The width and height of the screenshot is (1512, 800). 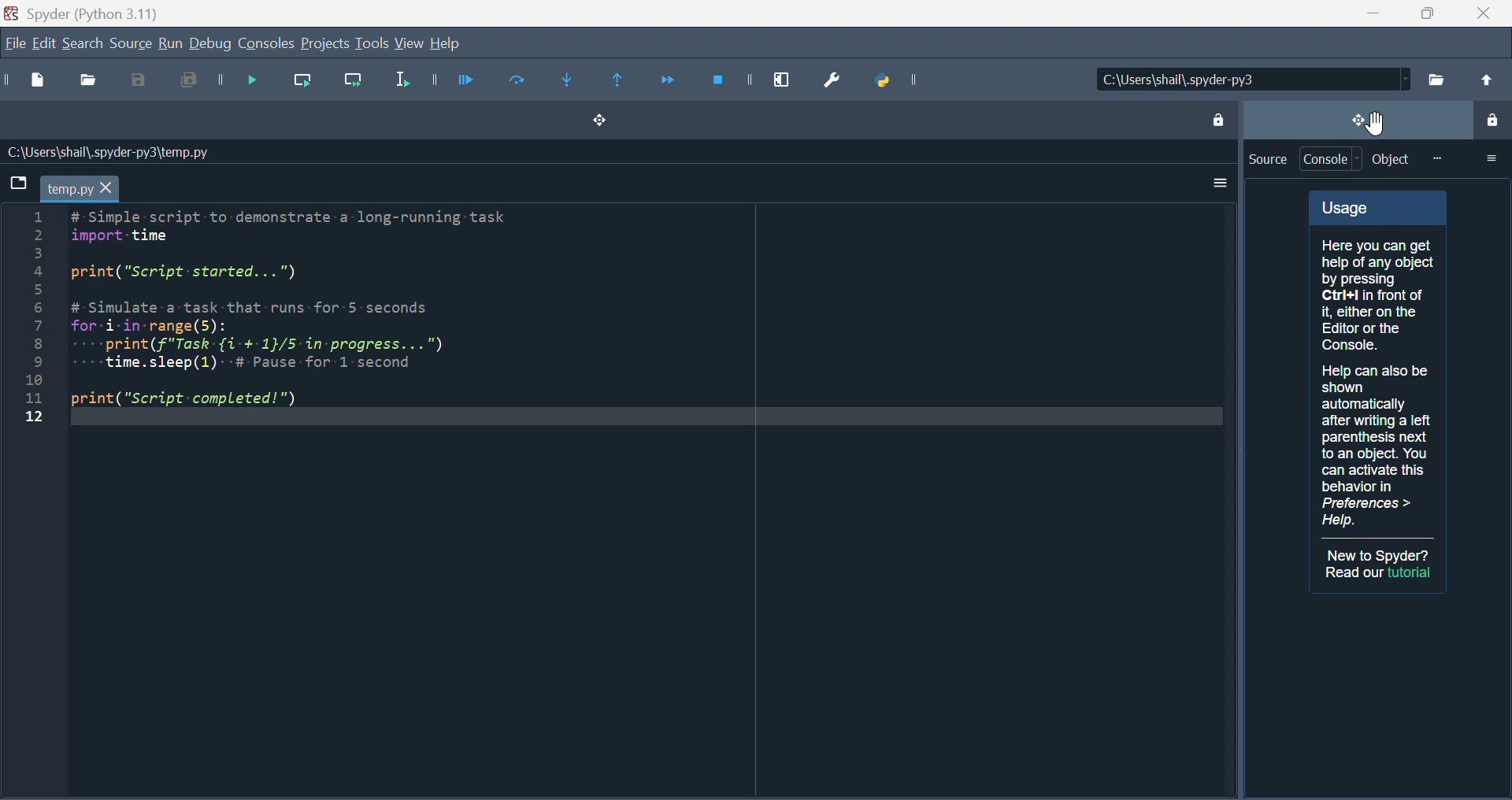 What do you see at coordinates (308, 310) in the screenshot?
I see `Python code` at bounding box center [308, 310].